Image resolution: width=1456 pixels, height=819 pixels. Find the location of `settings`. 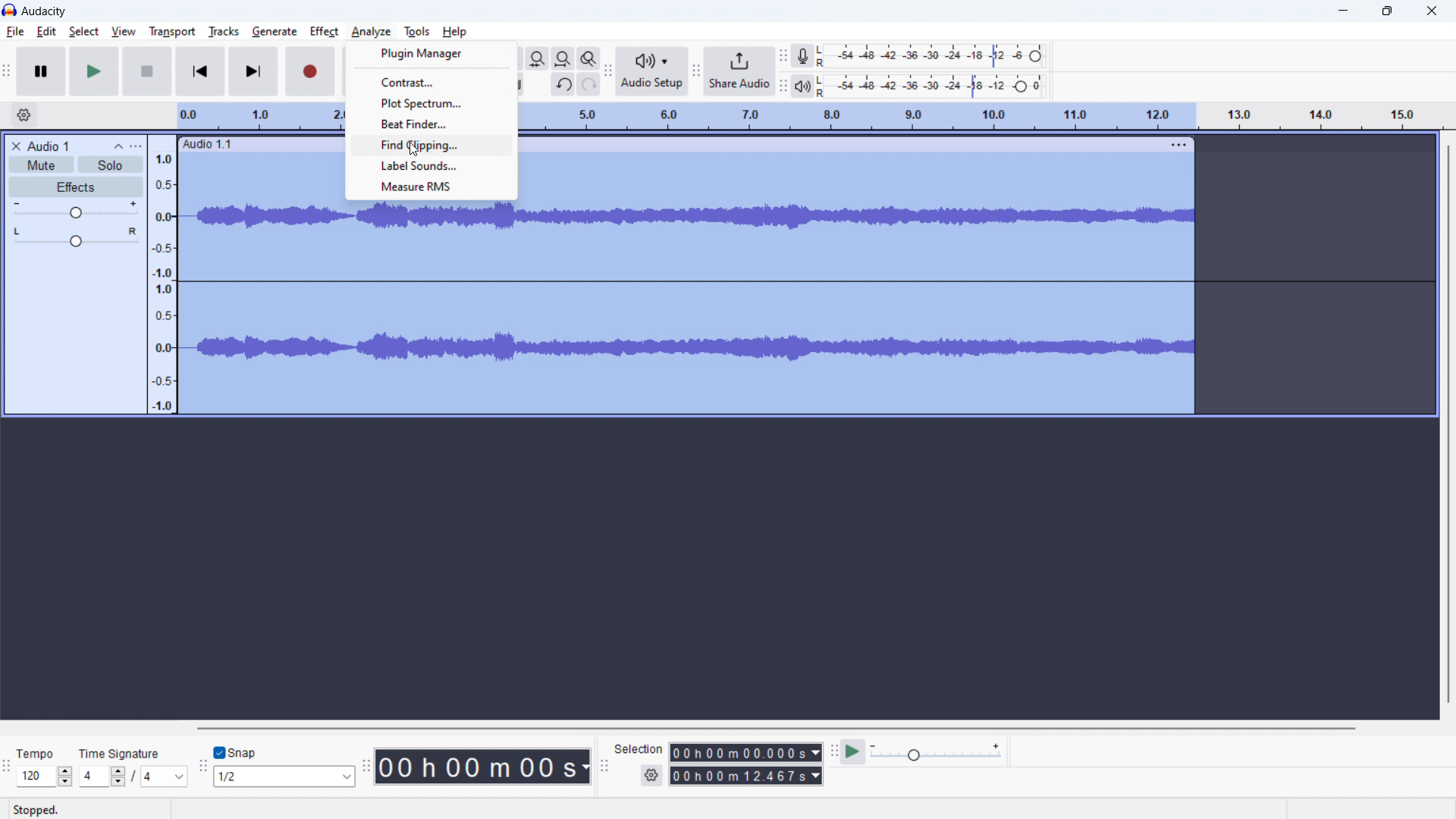

settings is located at coordinates (651, 775).